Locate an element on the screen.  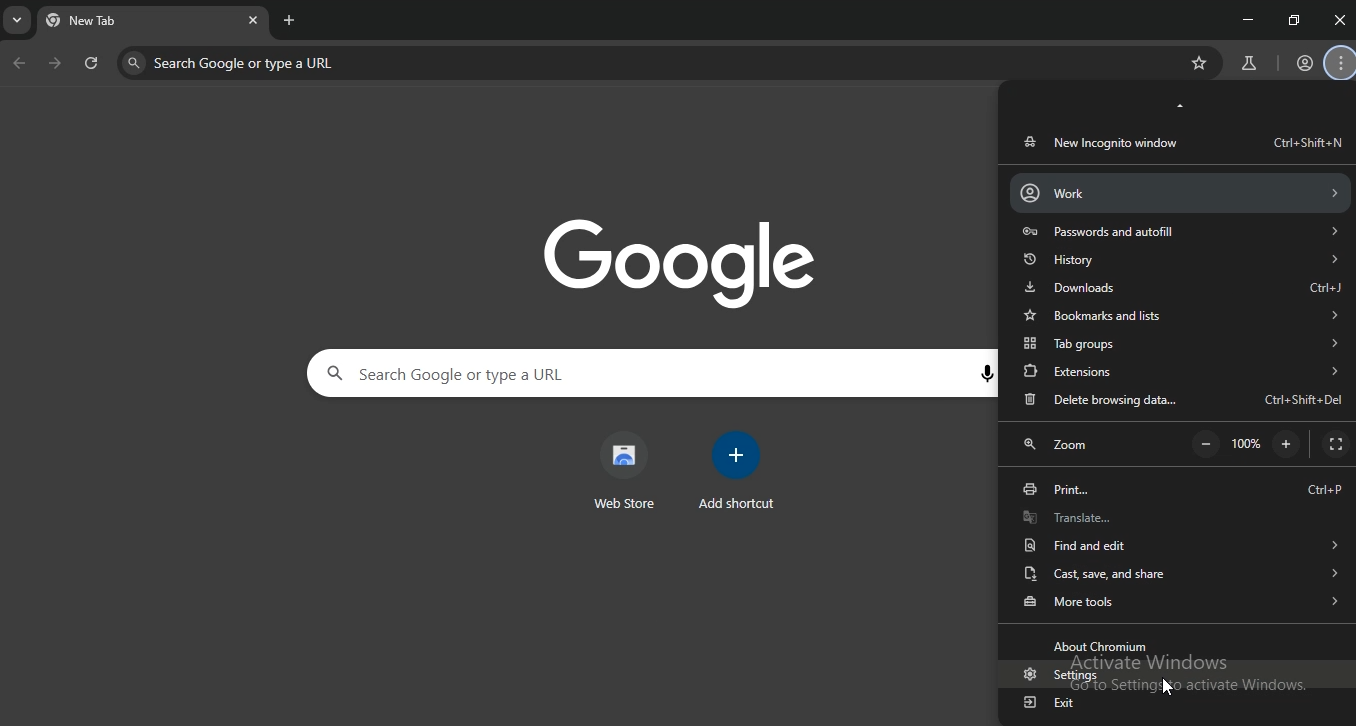
search tabs is located at coordinates (19, 23).